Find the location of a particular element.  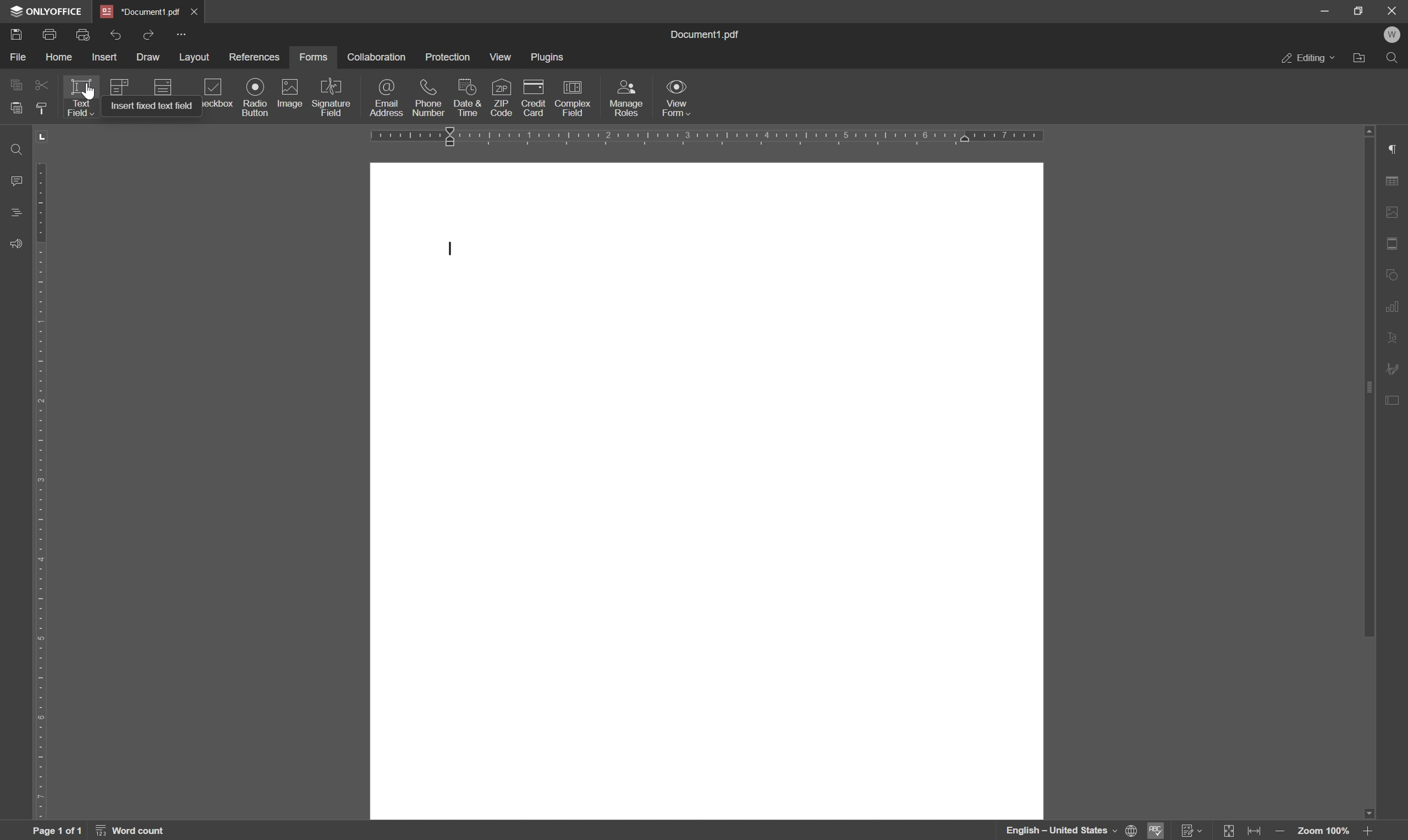

credit card is located at coordinates (534, 98).